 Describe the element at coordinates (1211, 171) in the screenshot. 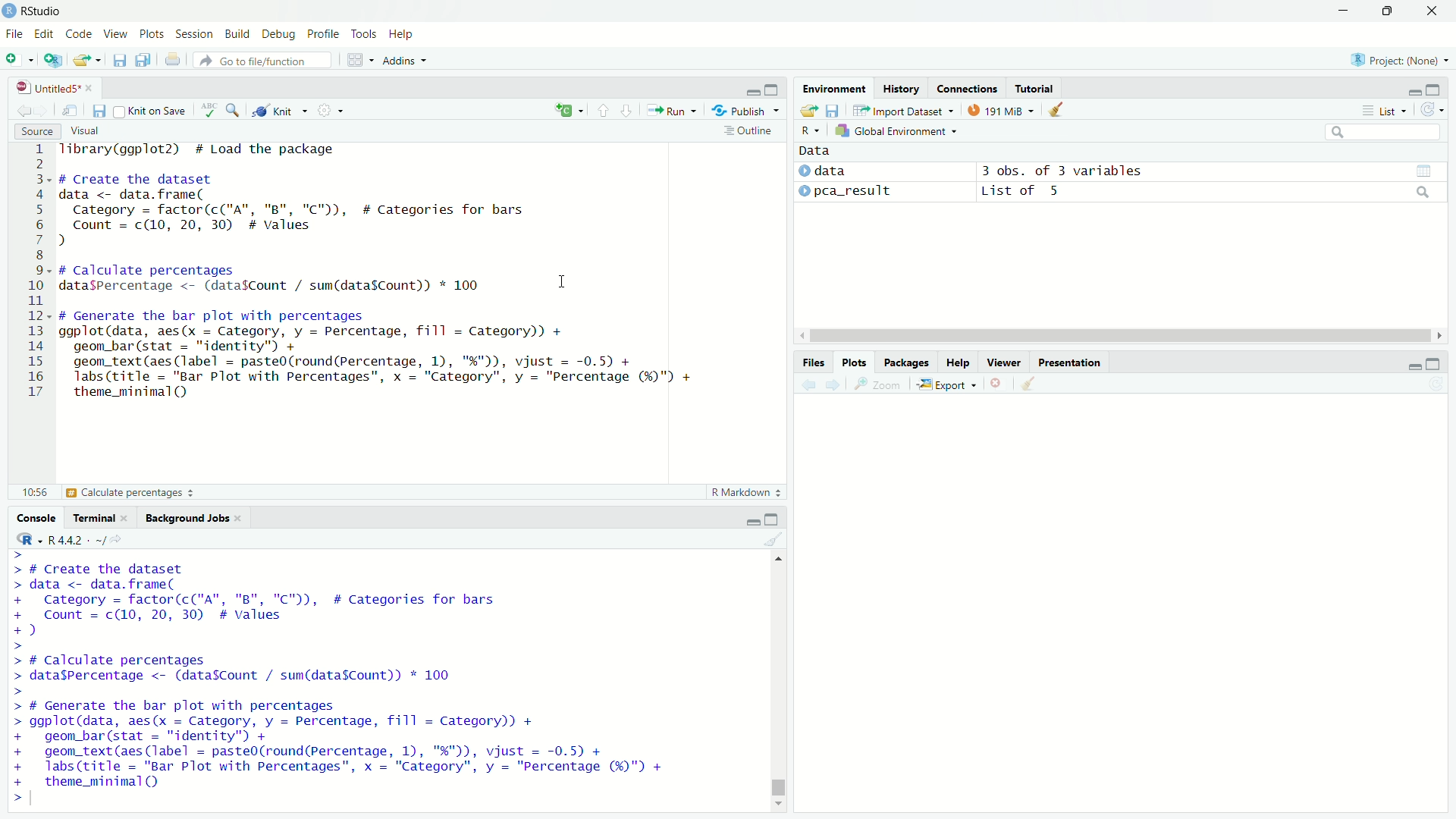

I see `3 obs. of 3 variables` at that location.